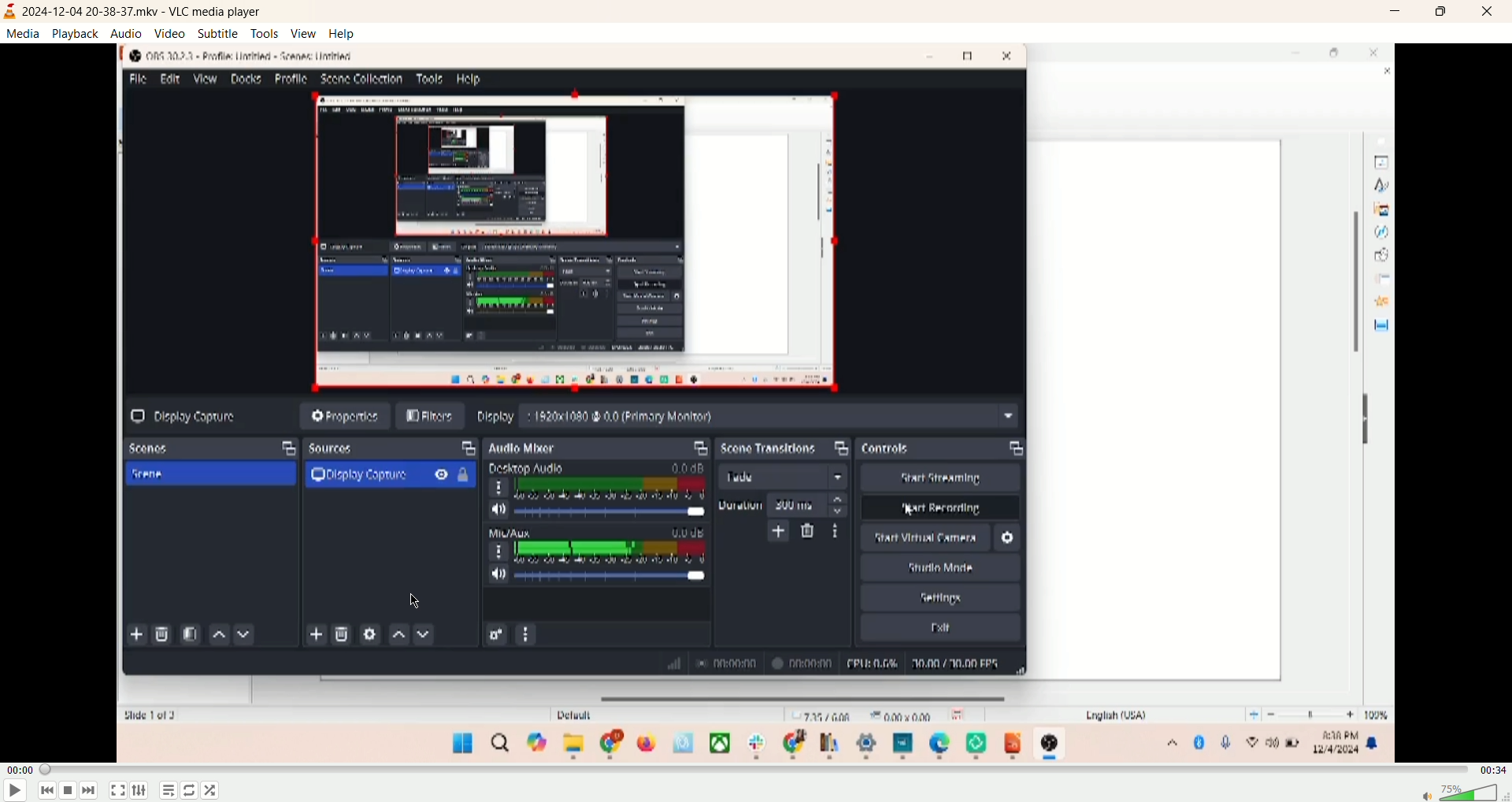  Describe the element at coordinates (219, 35) in the screenshot. I see `subtitle` at that location.